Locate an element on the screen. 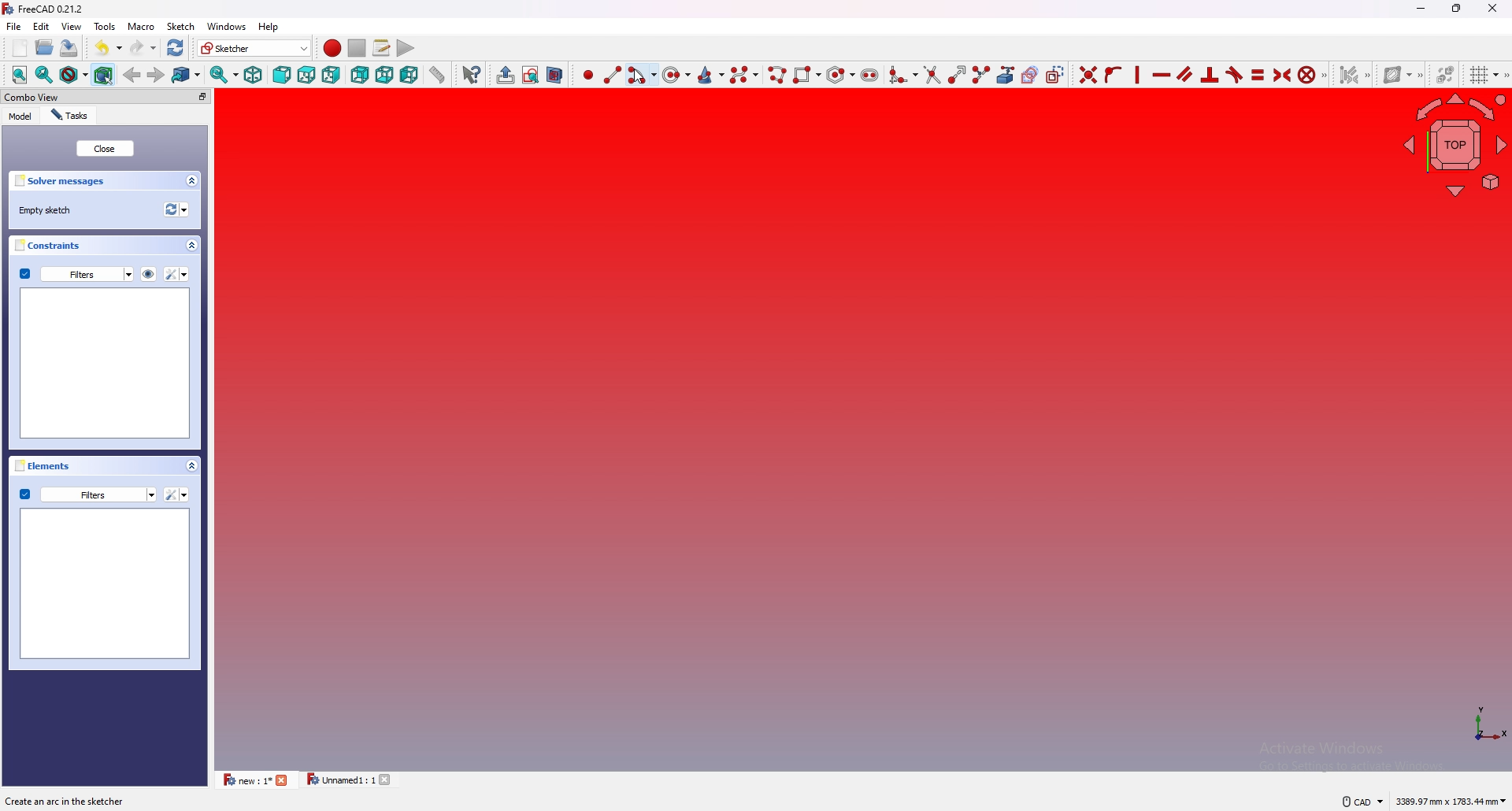 Image resolution: width=1512 pixels, height=811 pixels. create point is located at coordinates (588, 75).